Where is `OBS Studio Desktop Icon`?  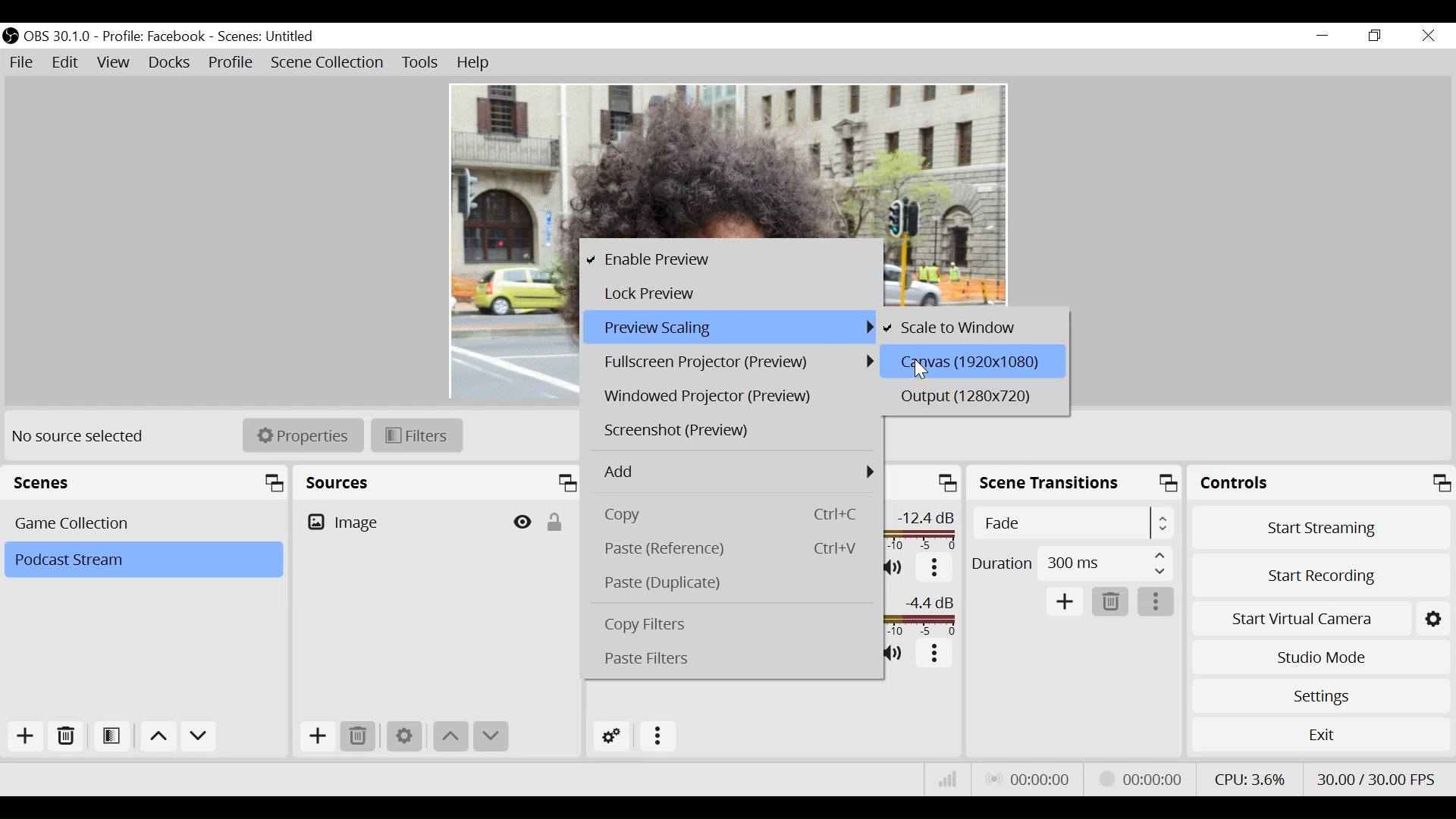
OBS Studio Desktop Icon is located at coordinates (10, 36).